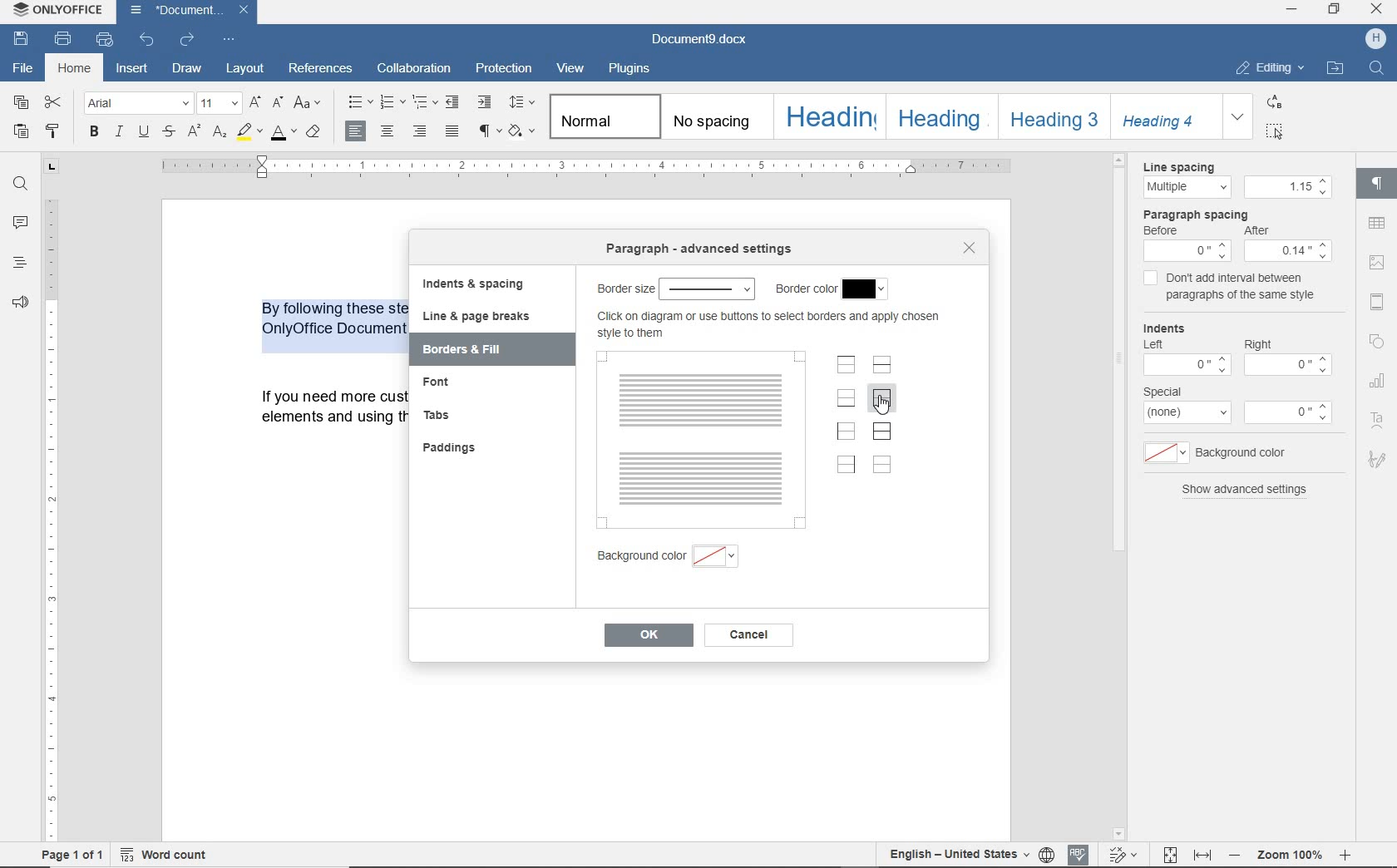 The image size is (1397, 868). What do you see at coordinates (846, 397) in the screenshot?
I see `set bottom border only` at bounding box center [846, 397].